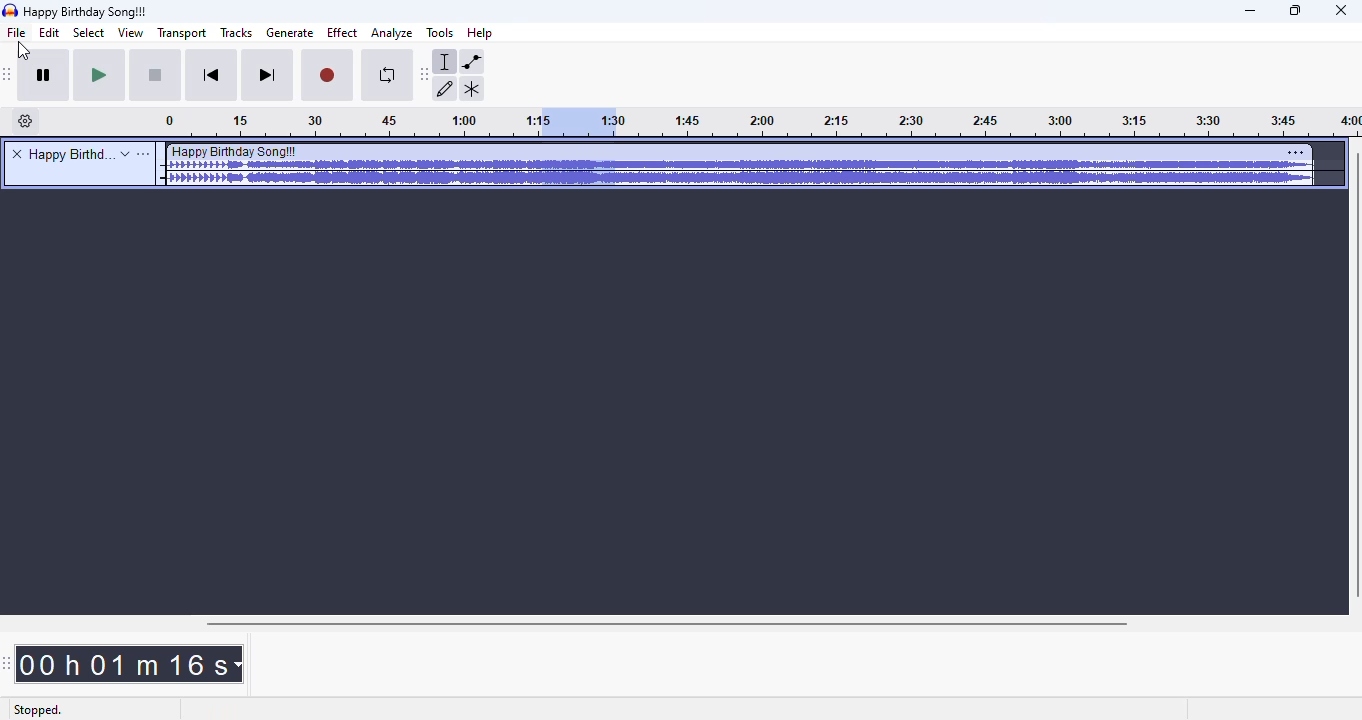  I want to click on record, so click(328, 77).